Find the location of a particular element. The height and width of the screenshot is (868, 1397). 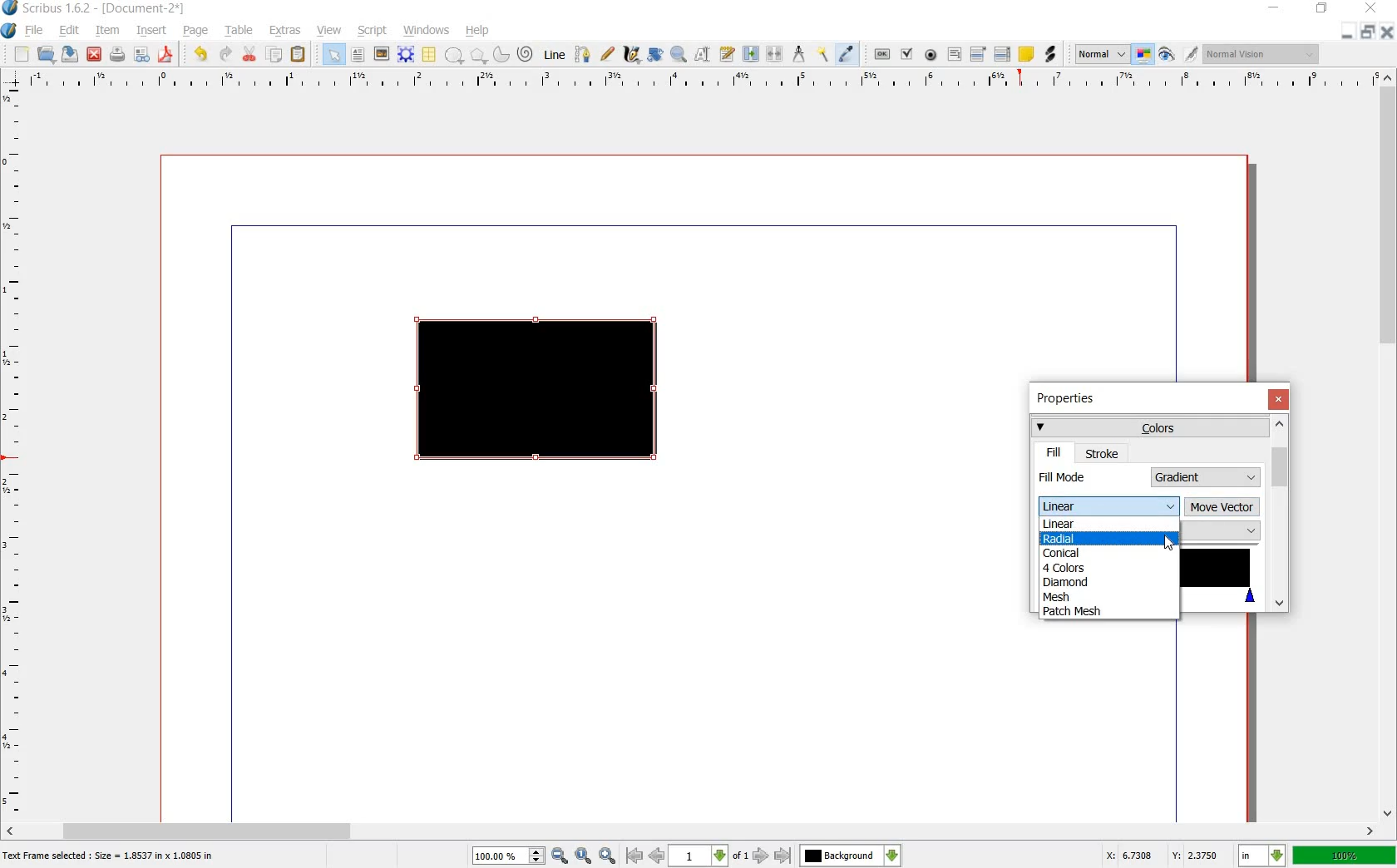

zoom in is located at coordinates (608, 856).